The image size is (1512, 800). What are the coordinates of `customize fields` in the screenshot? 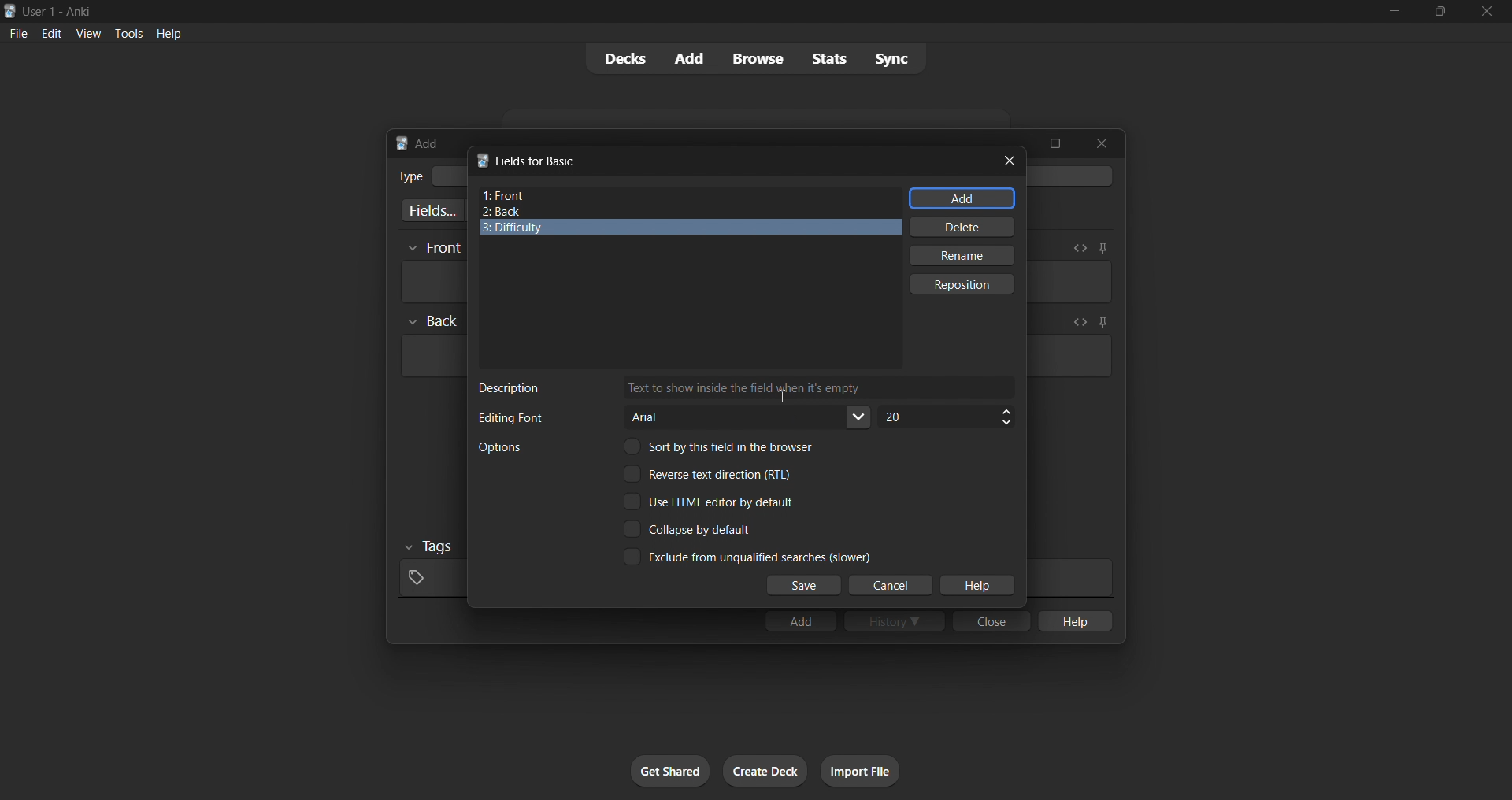 It's located at (429, 210).